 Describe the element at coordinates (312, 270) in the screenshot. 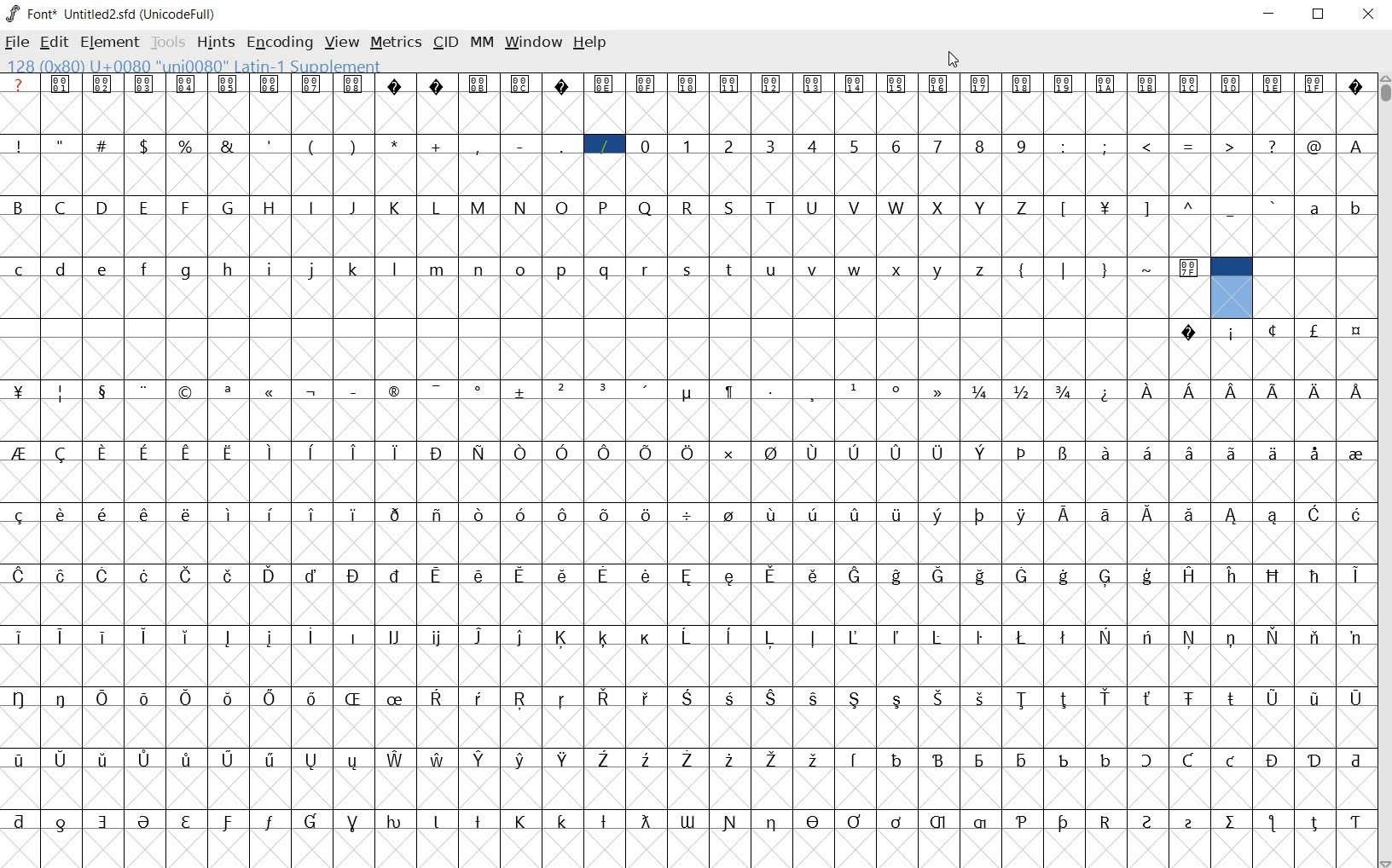

I see `j` at that location.